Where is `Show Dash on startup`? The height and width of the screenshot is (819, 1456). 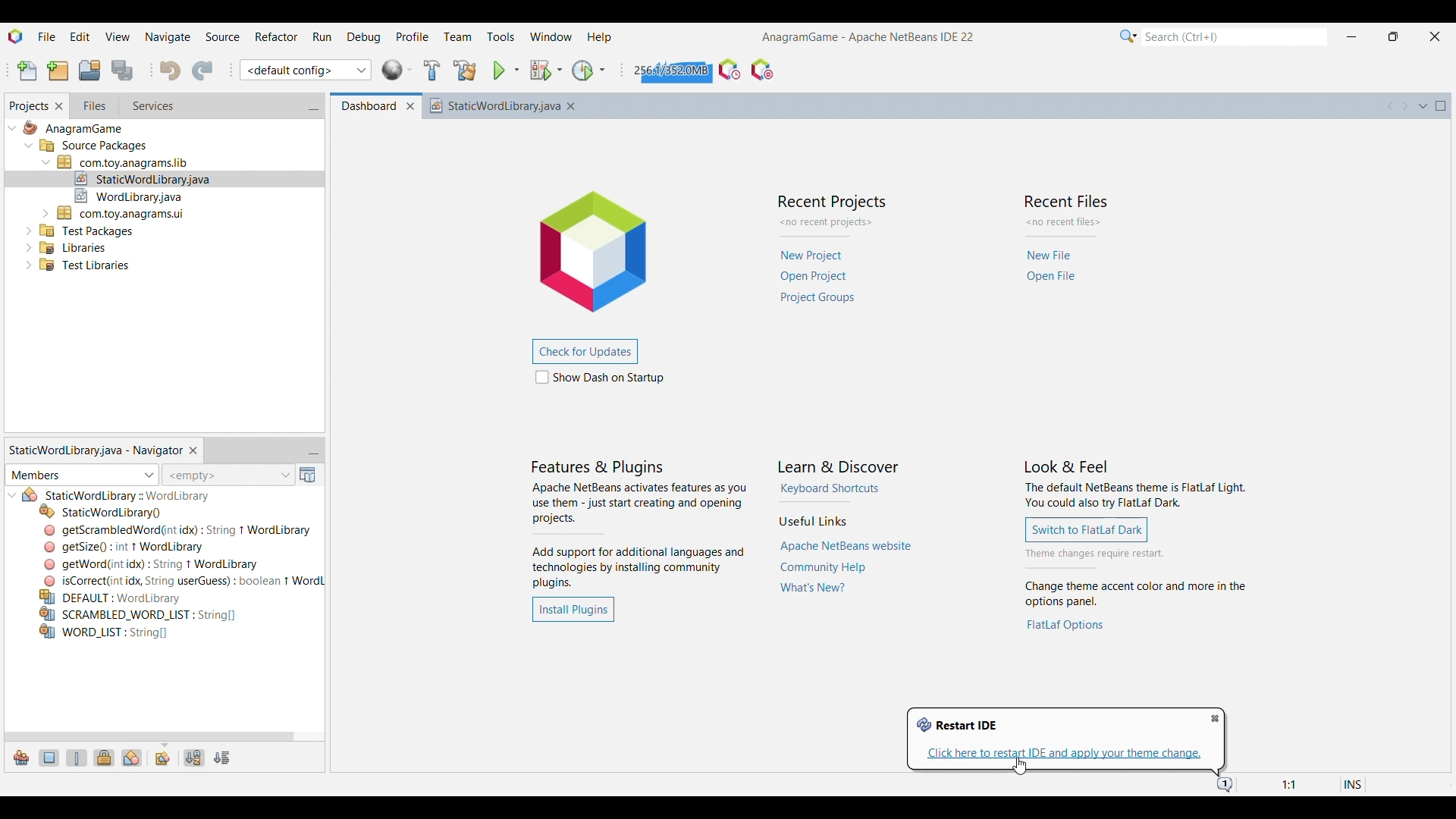
Show Dash on startup is located at coordinates (600, 377).